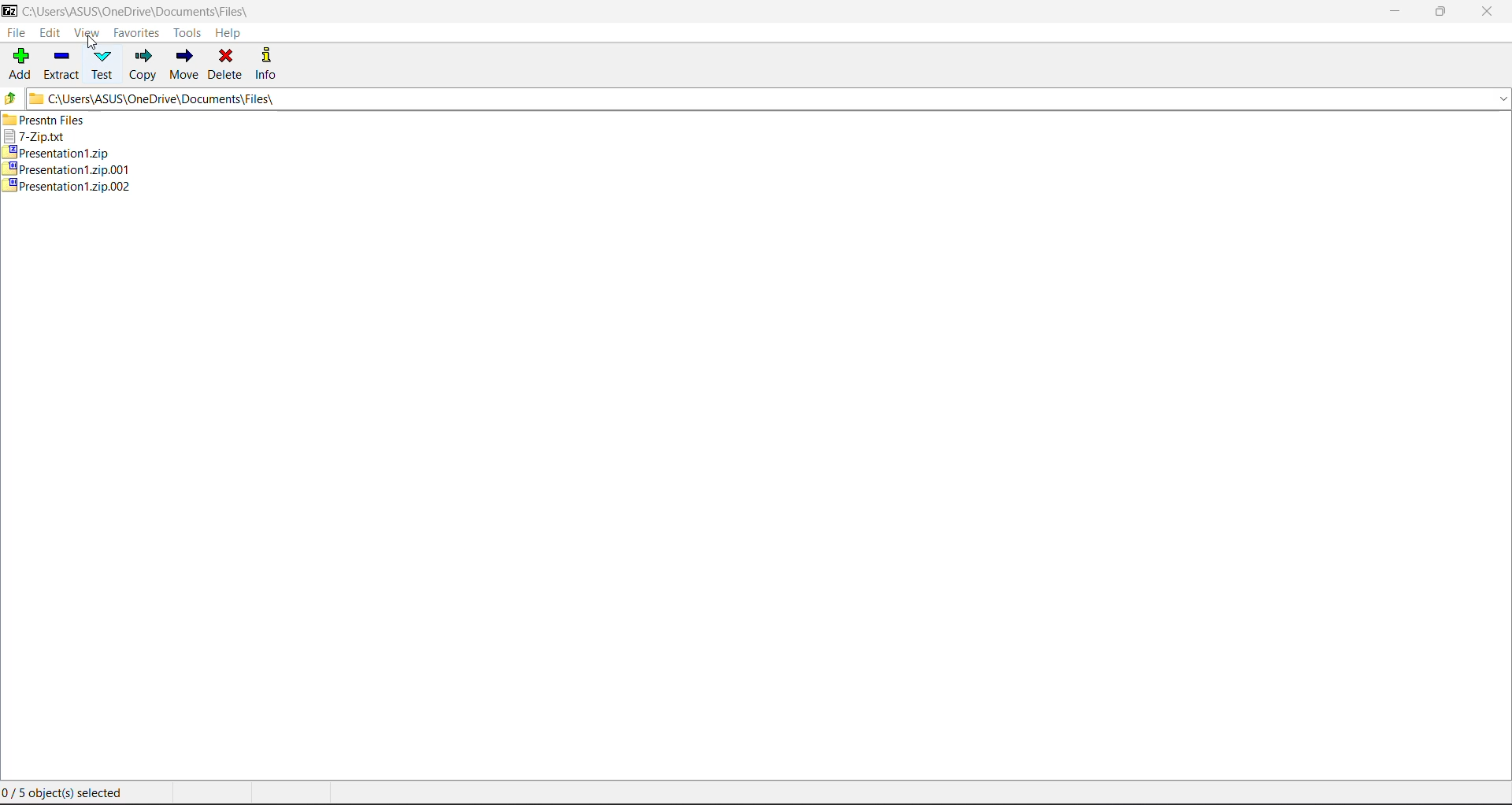  I want to click on Current Folder Location Path, so click(754, 98).